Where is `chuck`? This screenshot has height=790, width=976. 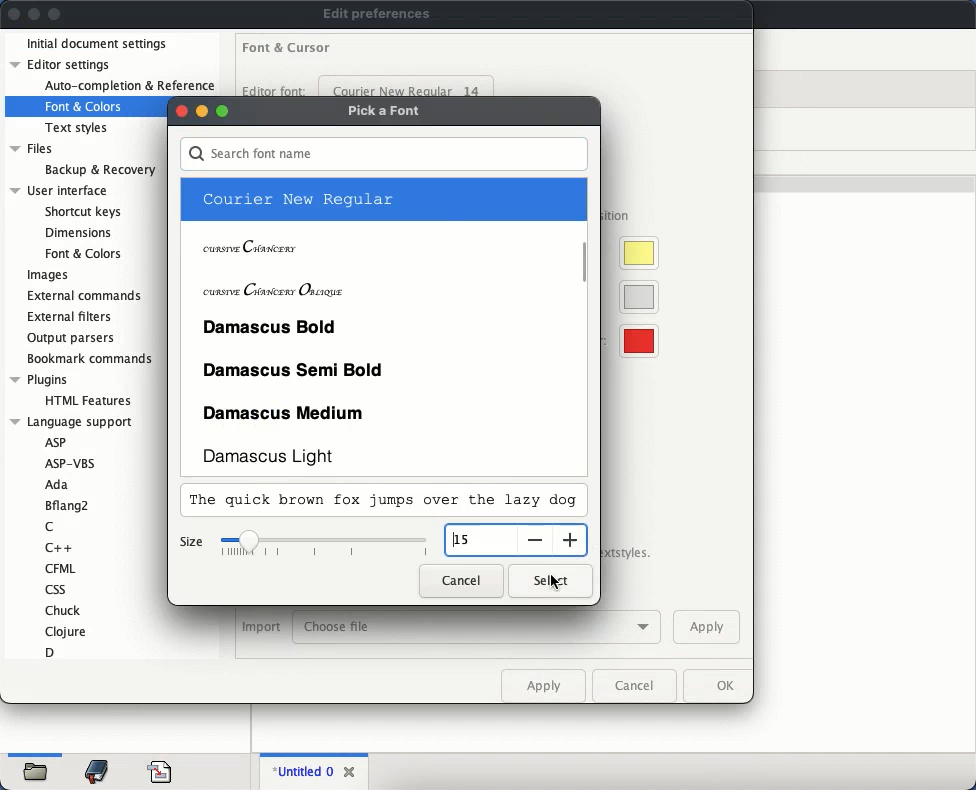
chuck is located at coordinates (64, 610).